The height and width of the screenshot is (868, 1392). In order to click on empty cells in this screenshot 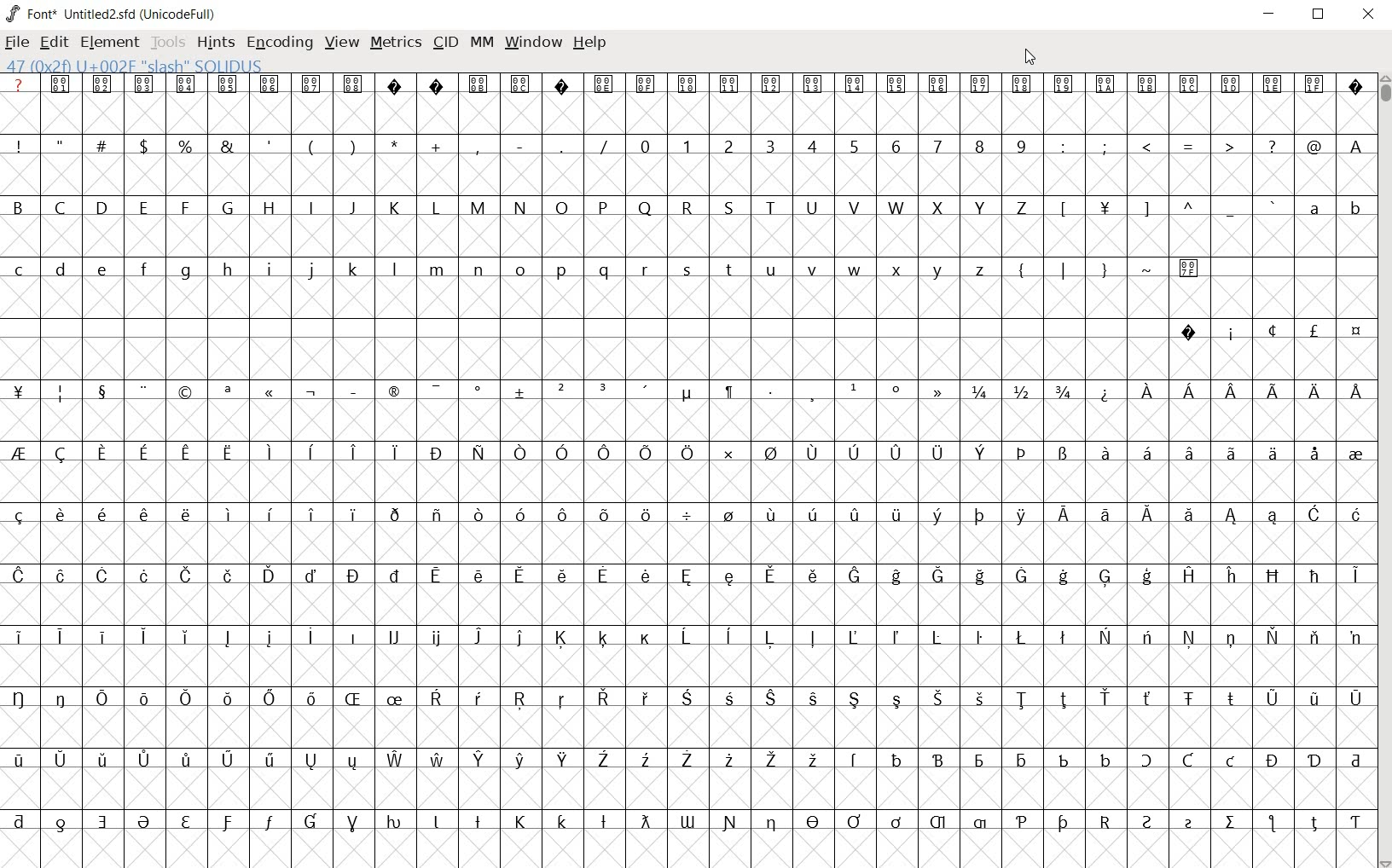, I will do `click(687, 664)`.